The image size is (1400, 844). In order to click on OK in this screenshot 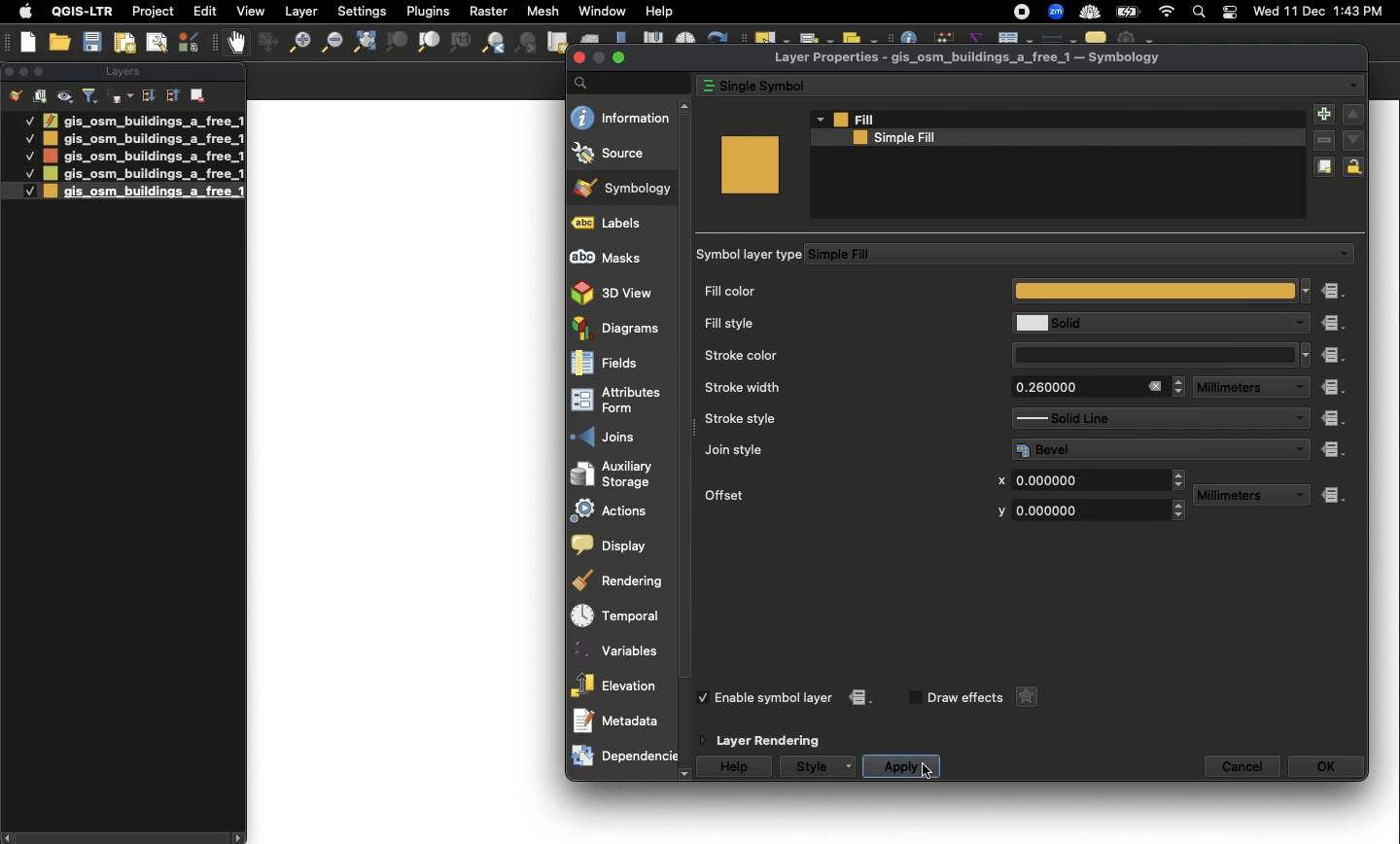, I will do `click(1326, 766)`.